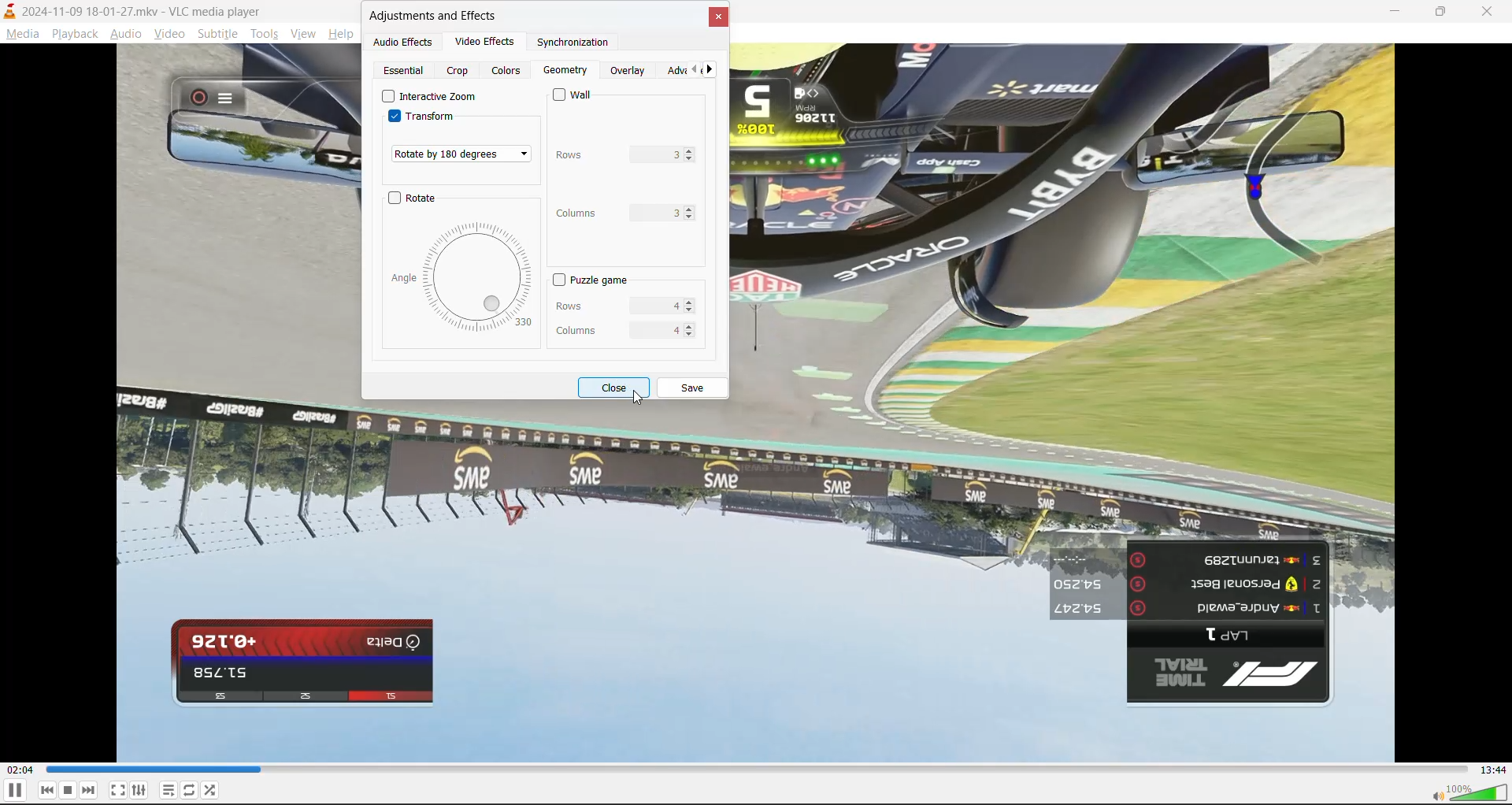  Describe the element at coordinates (692, 160) in the screenshot. I see `decrease` at that location.